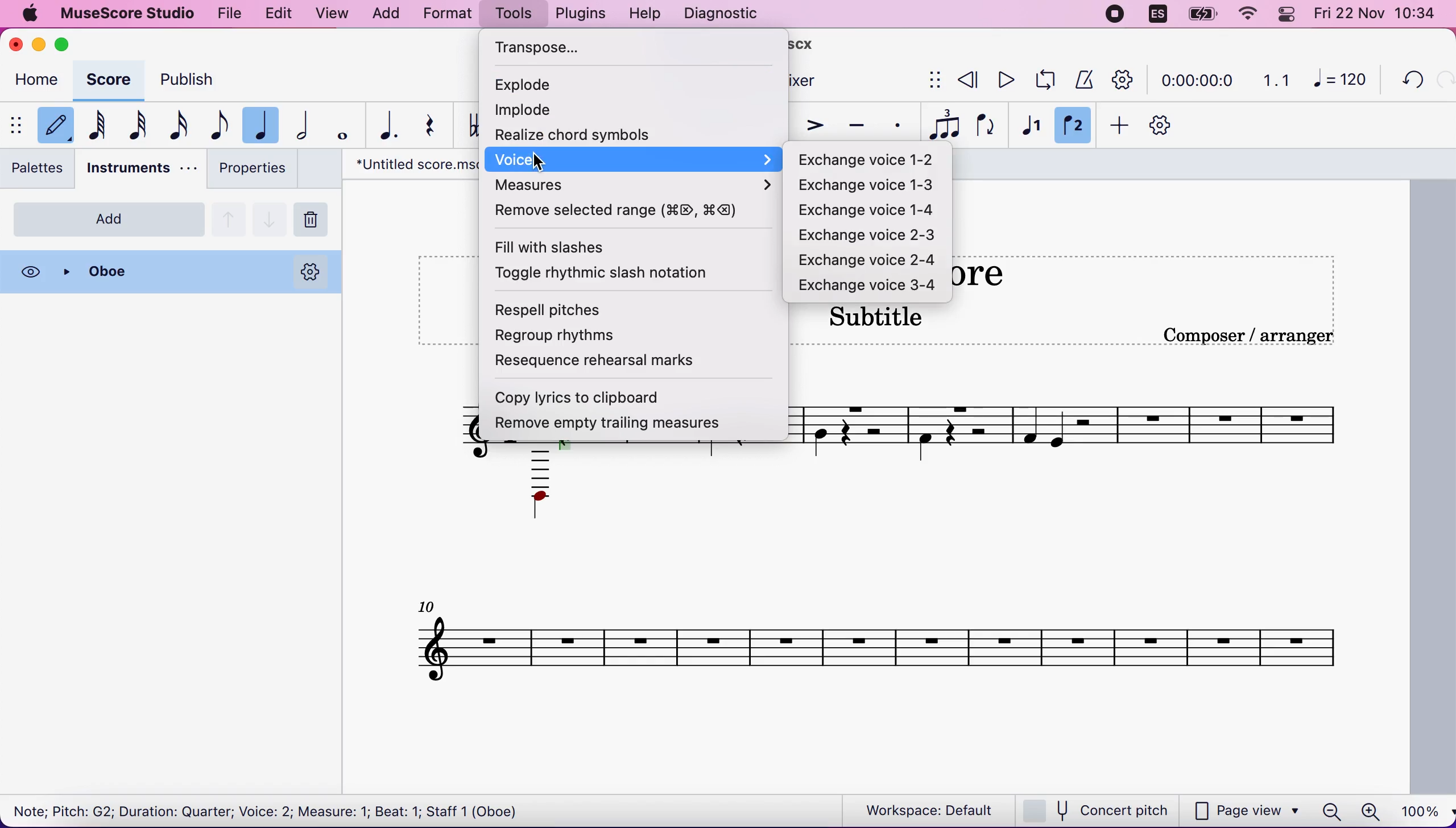 The image size is (1456, 828). I want to click on add, so click(108, 220).